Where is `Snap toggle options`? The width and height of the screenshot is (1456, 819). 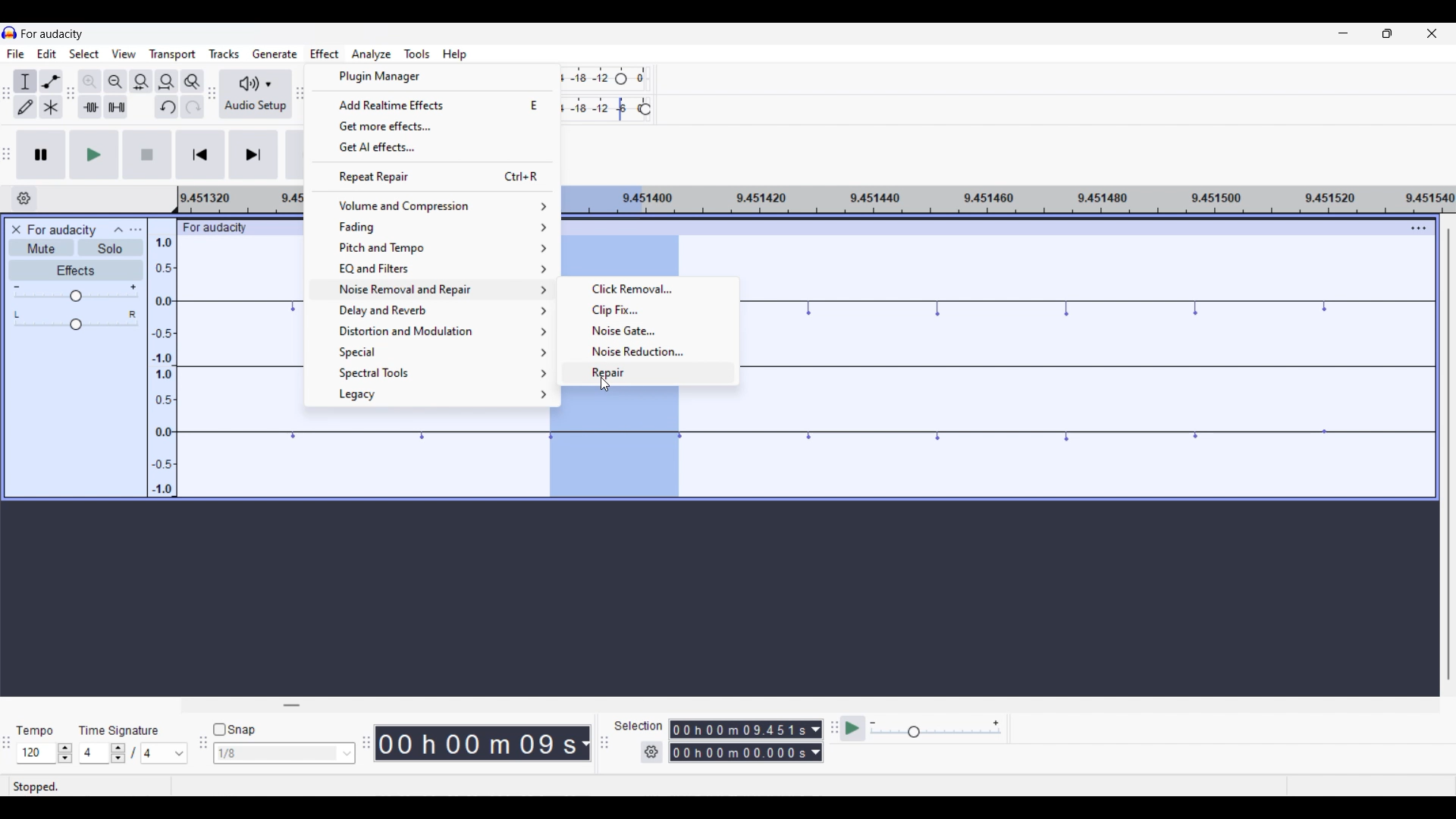
Snap toggle options is located at coordinates (284, 753).